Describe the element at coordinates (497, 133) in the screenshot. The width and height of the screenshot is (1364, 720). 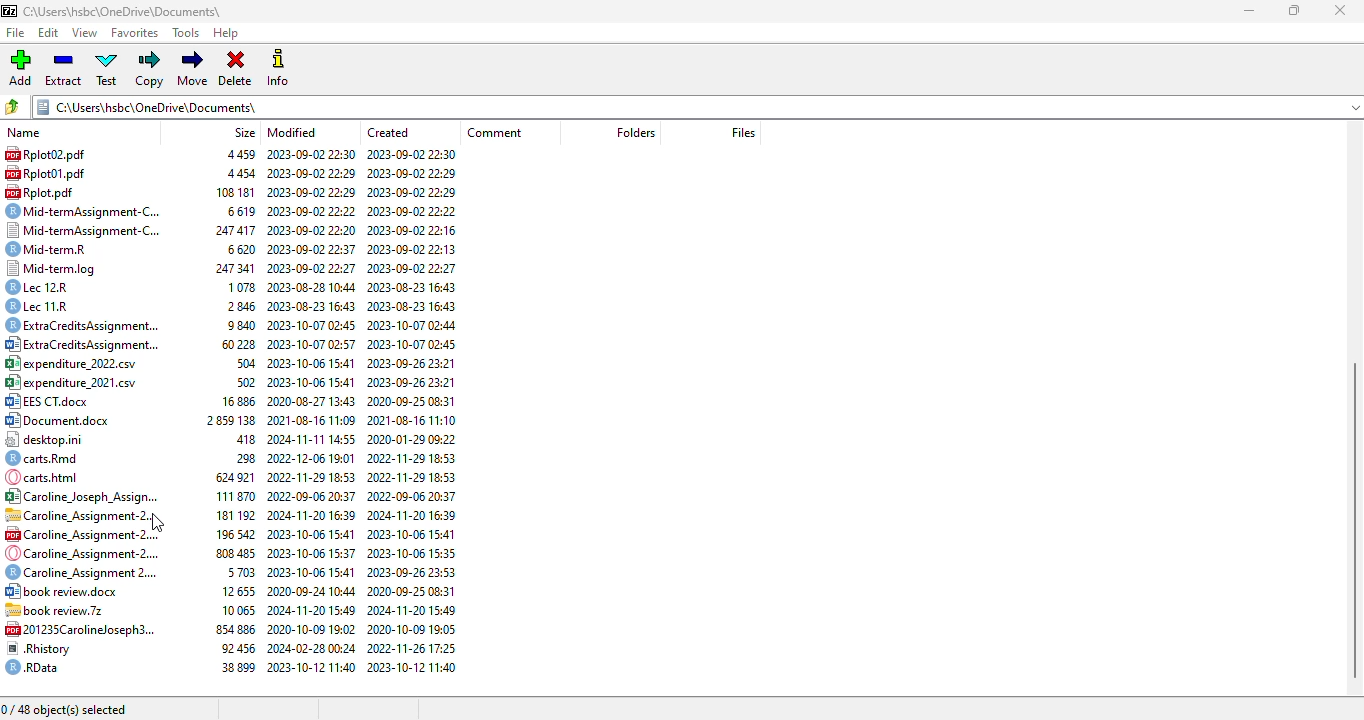
I see `comment` at that location.